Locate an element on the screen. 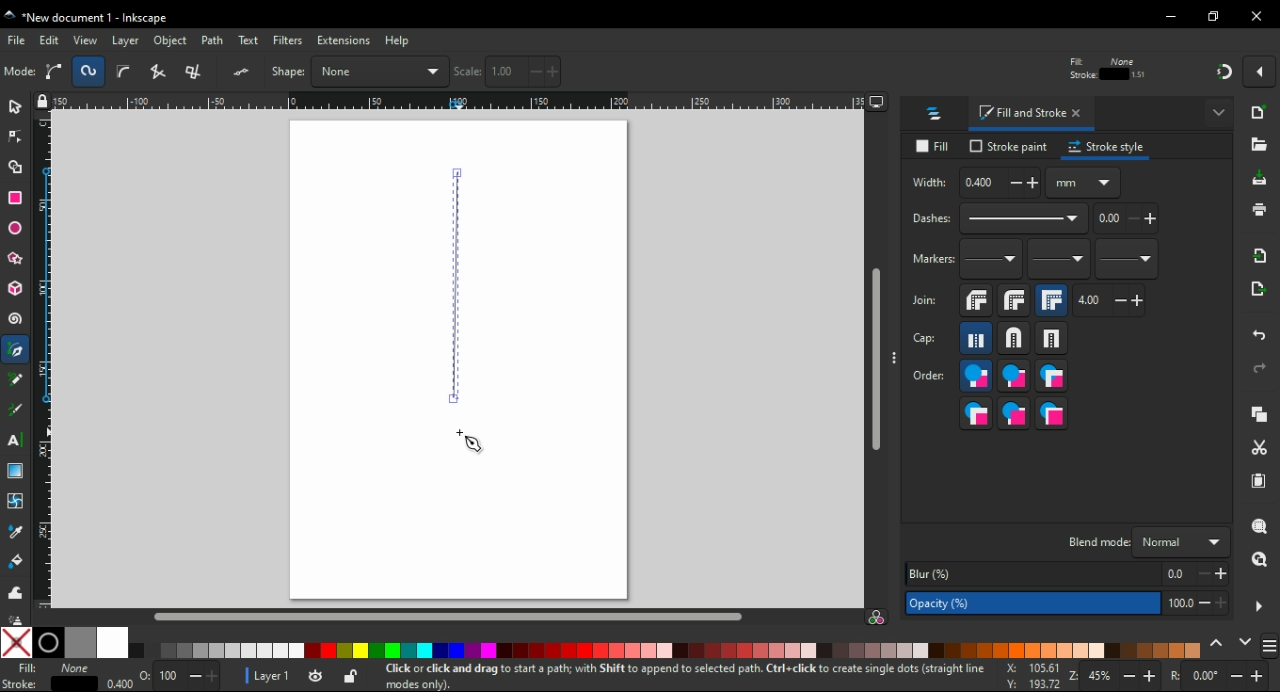 This screenshot has width=1280, height=692. object flip horizontal is located at coordinates (245, 71).